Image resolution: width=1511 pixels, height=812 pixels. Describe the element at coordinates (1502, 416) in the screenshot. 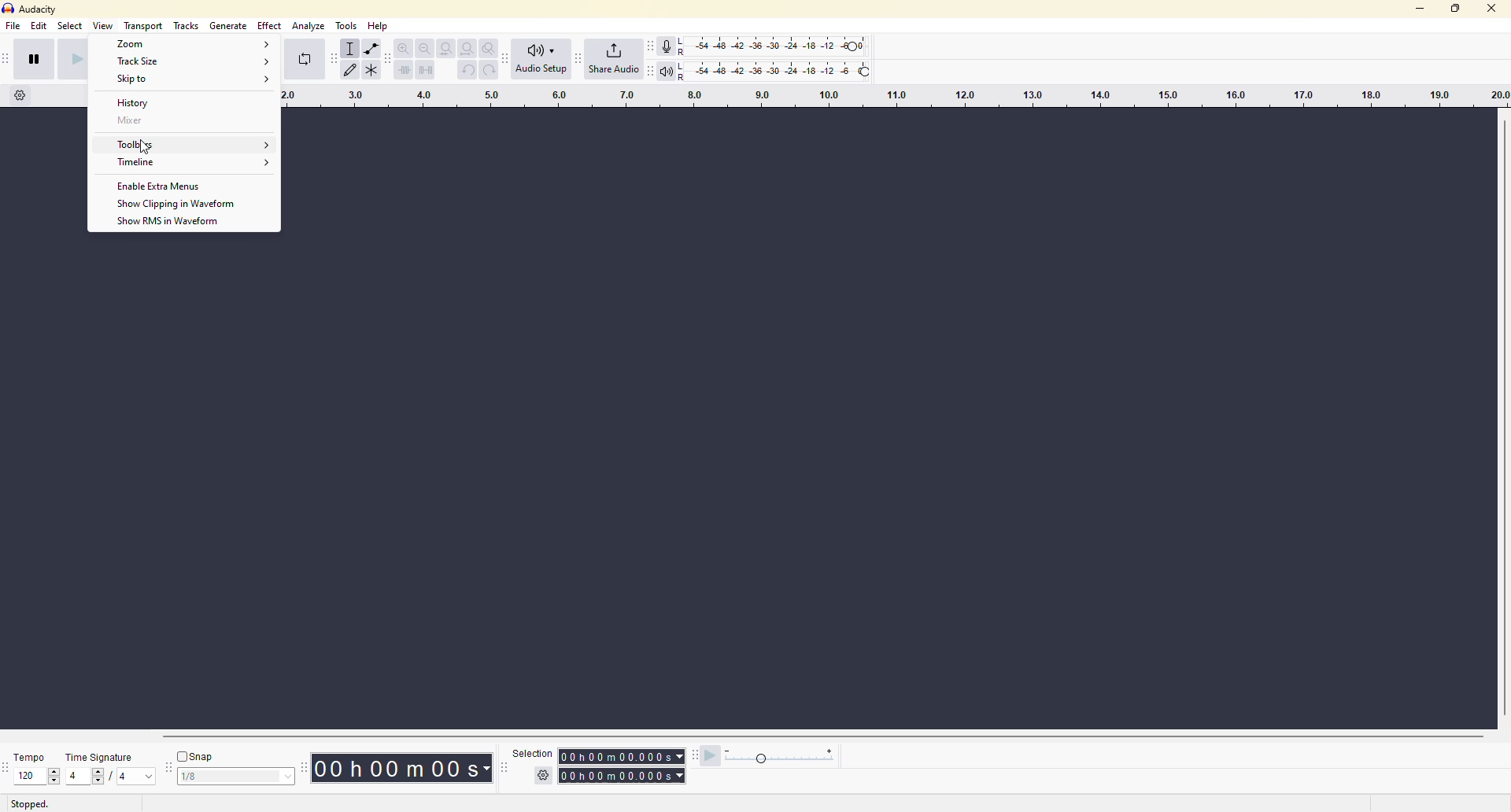

I see `Vertical Scrollbar` at that location.